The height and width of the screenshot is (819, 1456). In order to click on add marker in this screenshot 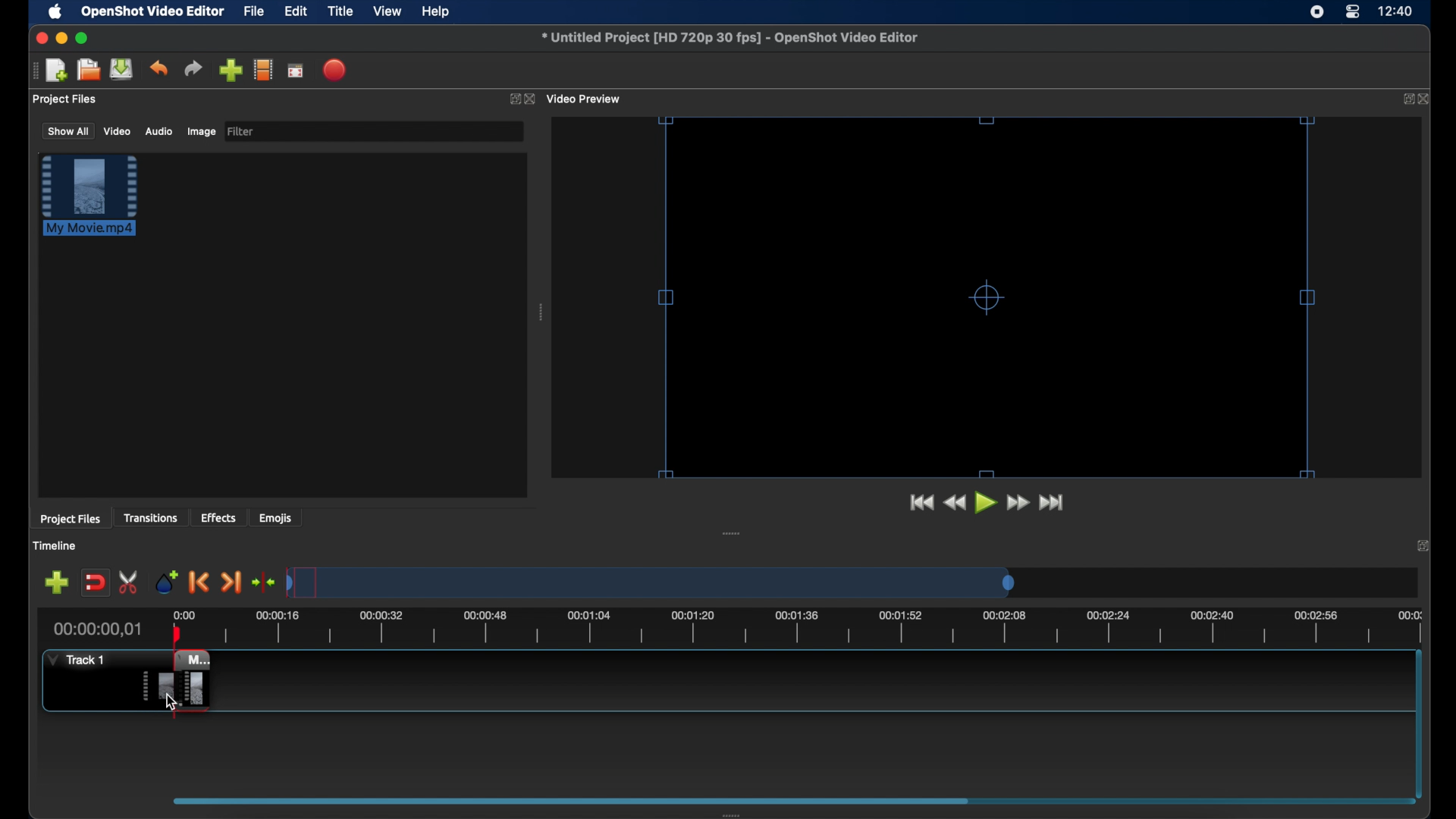, I will do `click(165, 581)`.